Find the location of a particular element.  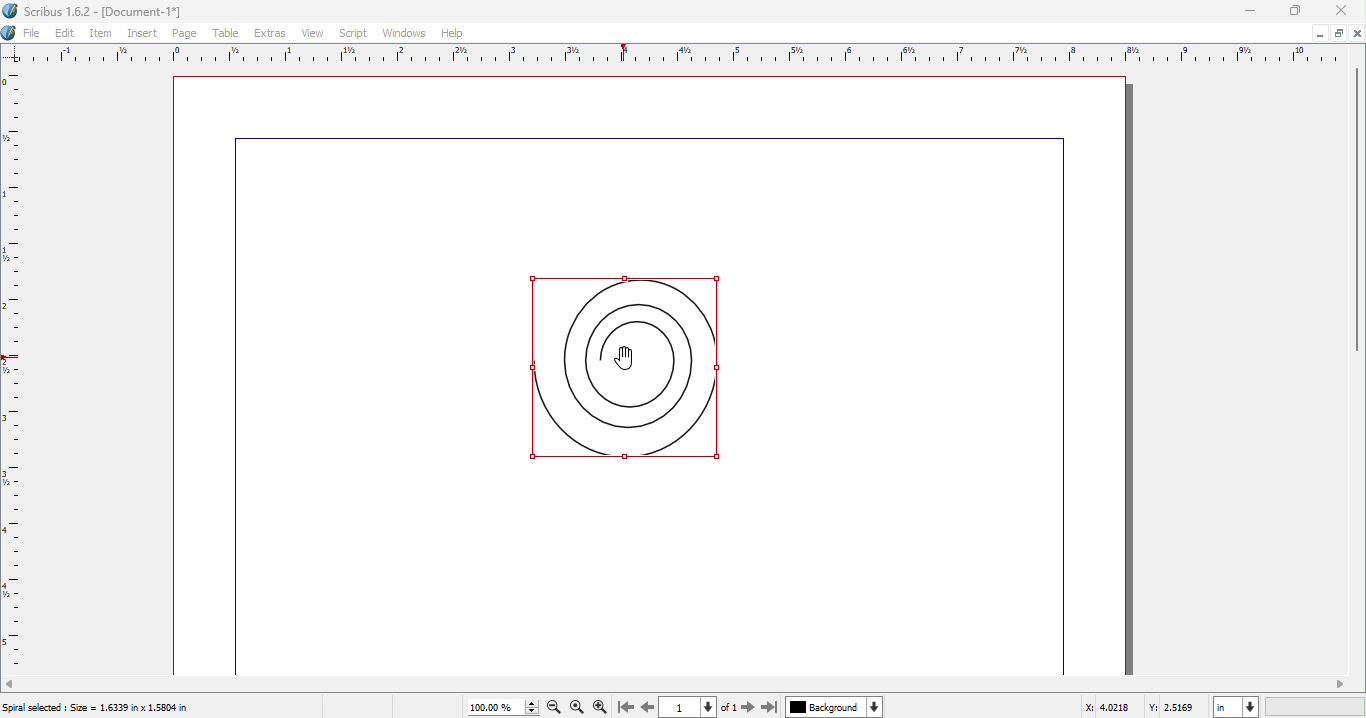

View is located at coordinates (312, 34).